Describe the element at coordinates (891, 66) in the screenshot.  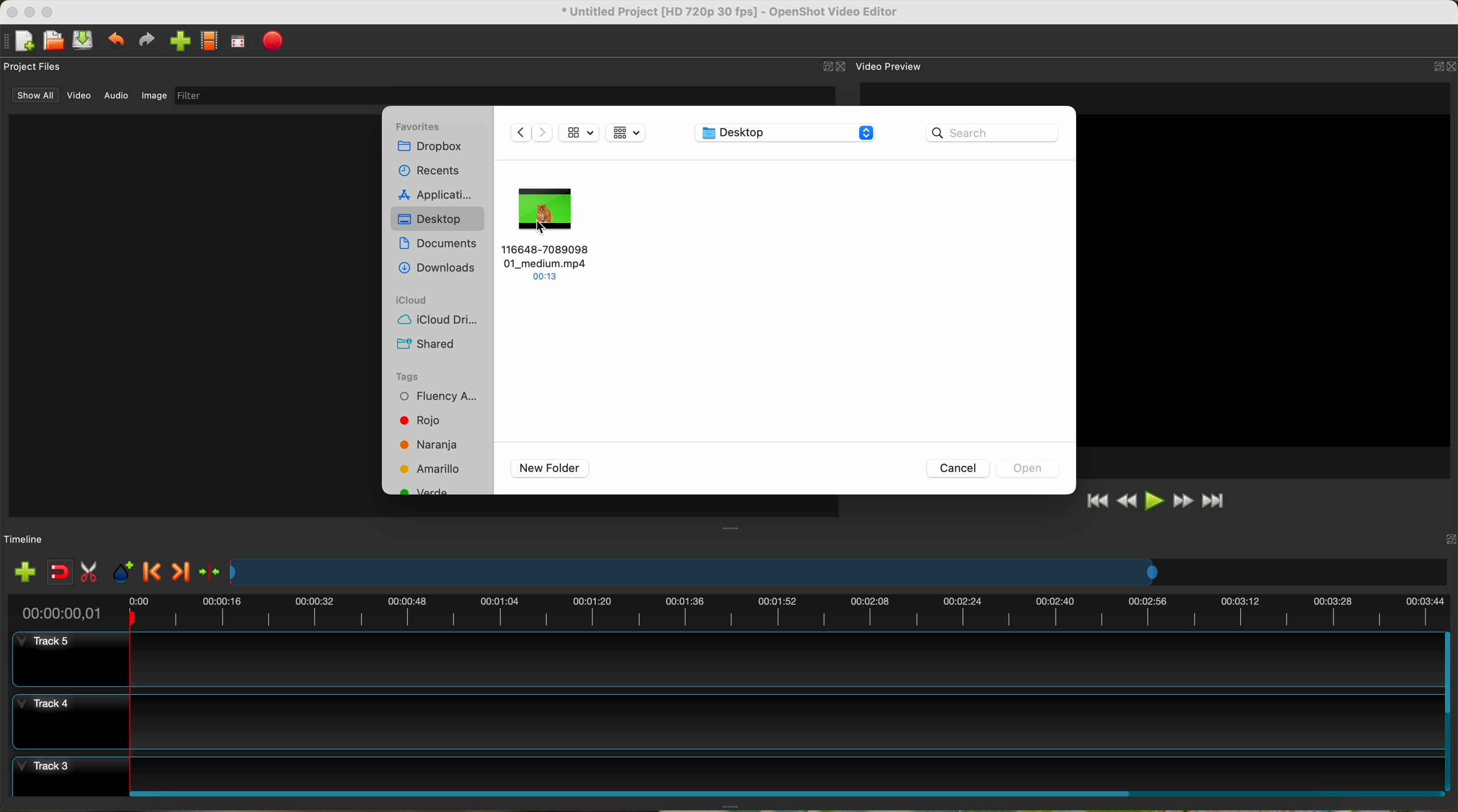
I see `video preview` at that location.